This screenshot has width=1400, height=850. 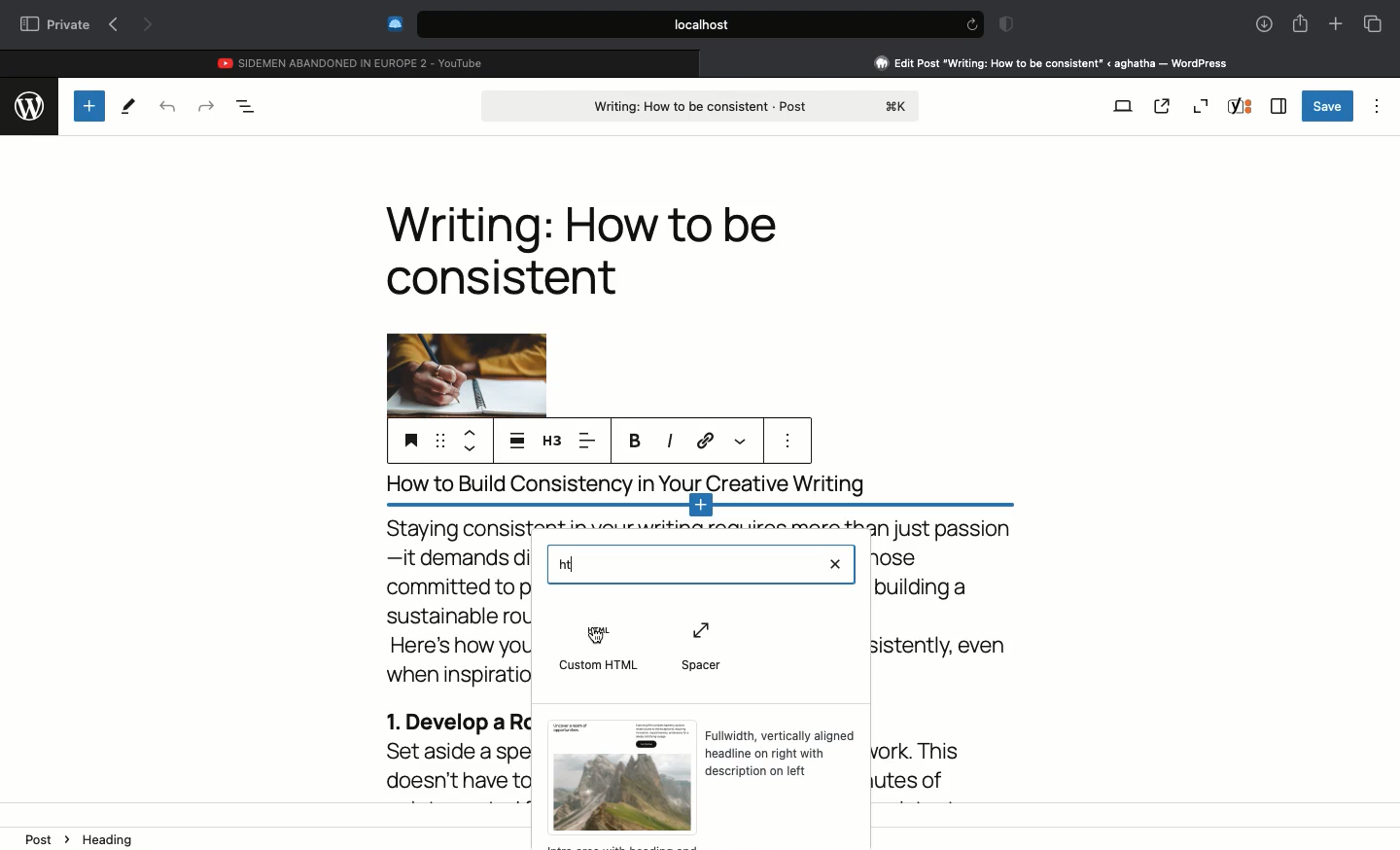 I want to click on Template, so click(x=704, y=771).